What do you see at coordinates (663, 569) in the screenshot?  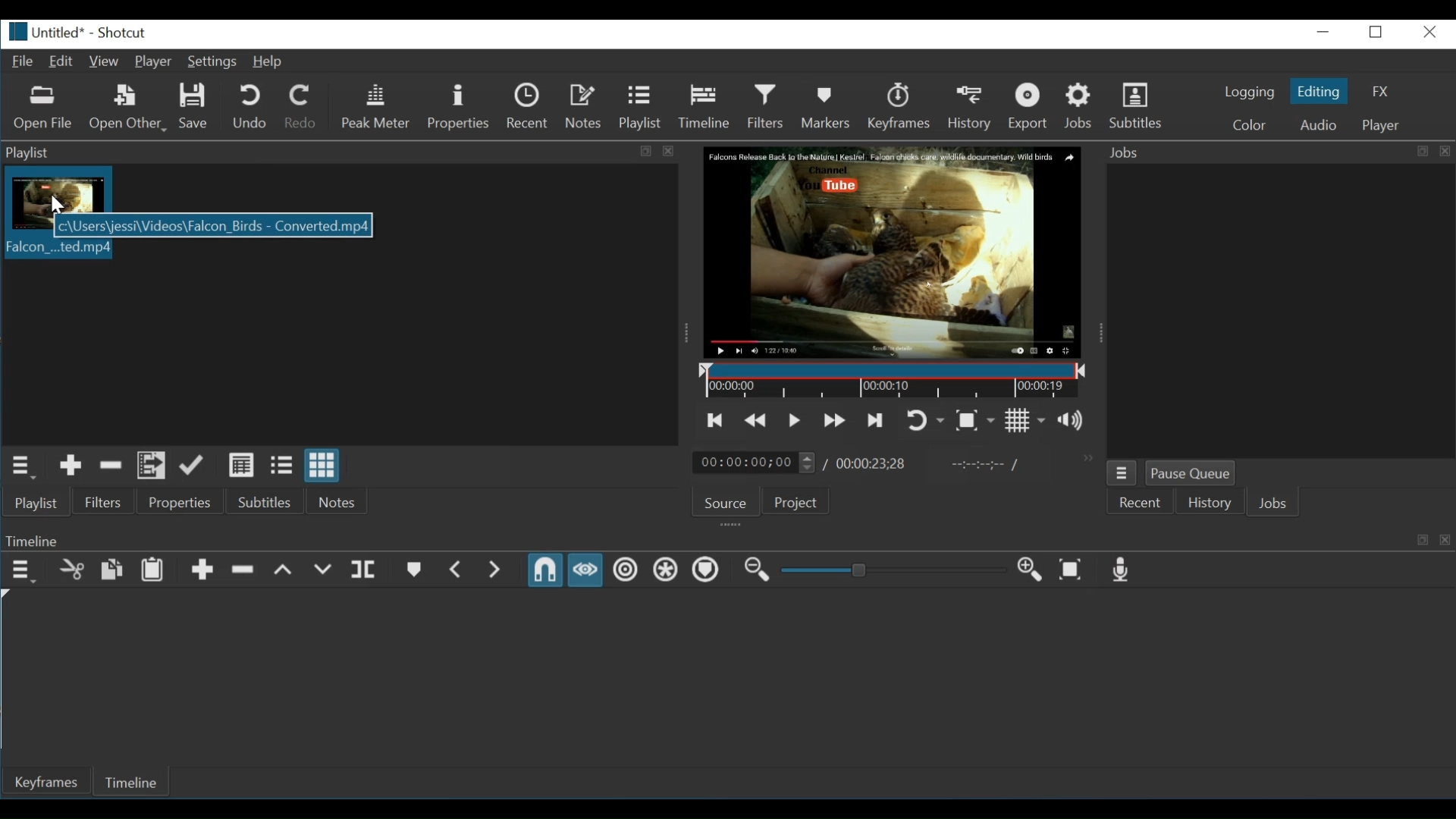 I see `Ripple all tracks` at bounding box center [663, 569].